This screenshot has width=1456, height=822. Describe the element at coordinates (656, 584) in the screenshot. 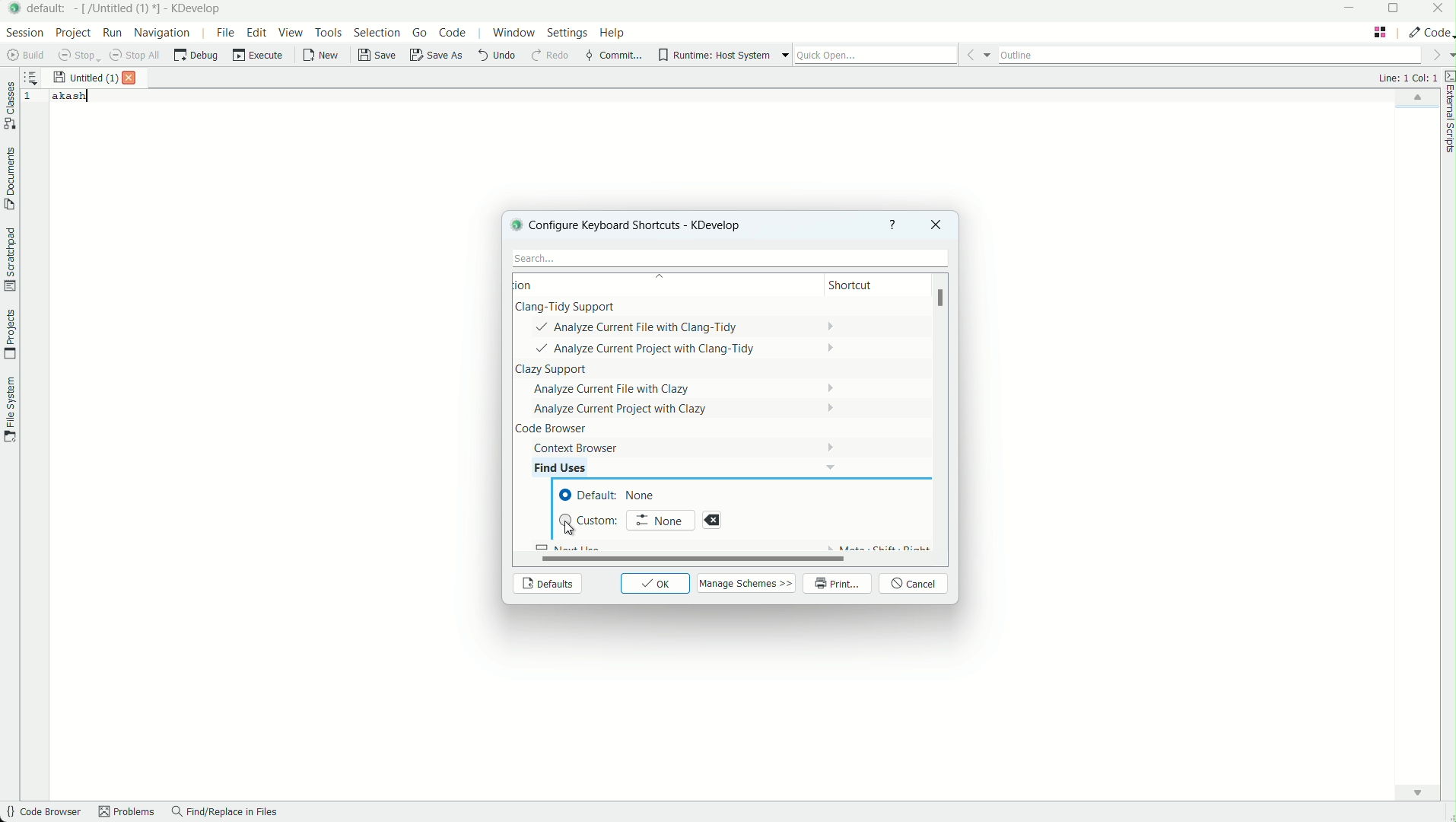

I see `ok` at that location.